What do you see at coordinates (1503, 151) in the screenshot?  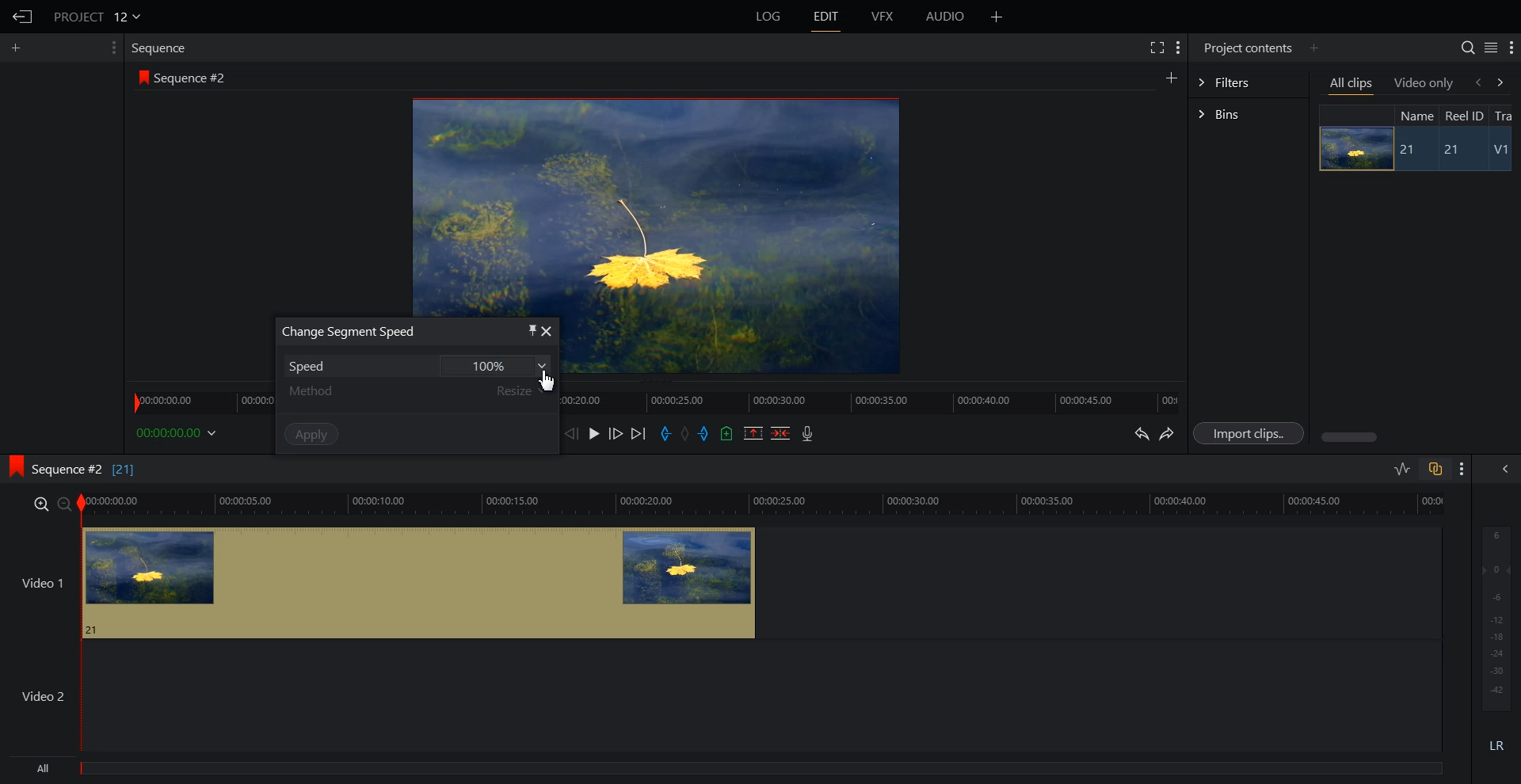 I see `V1` at bounding box center [1503, 151].